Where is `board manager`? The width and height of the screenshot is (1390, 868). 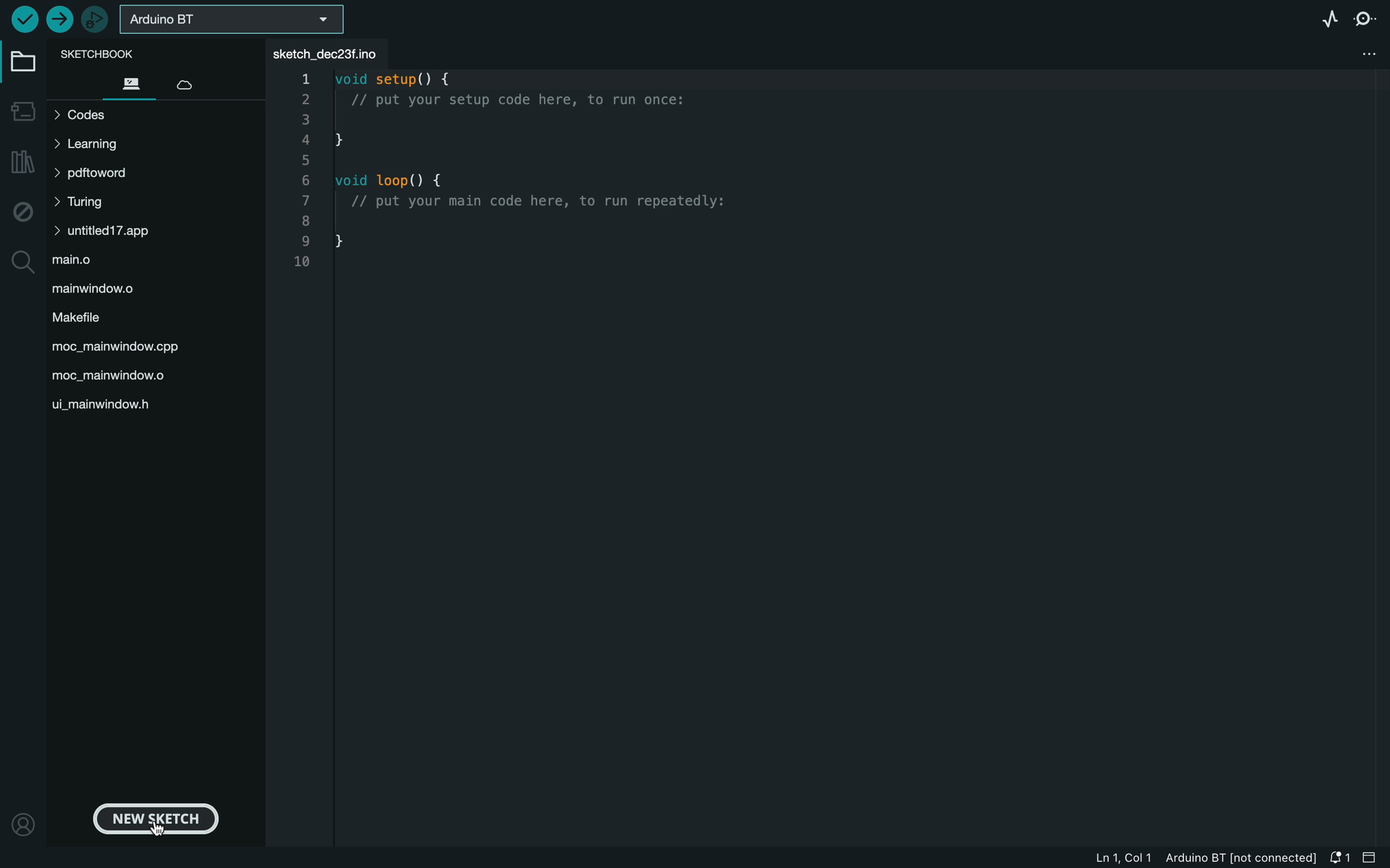
board manager is located at coordinates (23, 111).